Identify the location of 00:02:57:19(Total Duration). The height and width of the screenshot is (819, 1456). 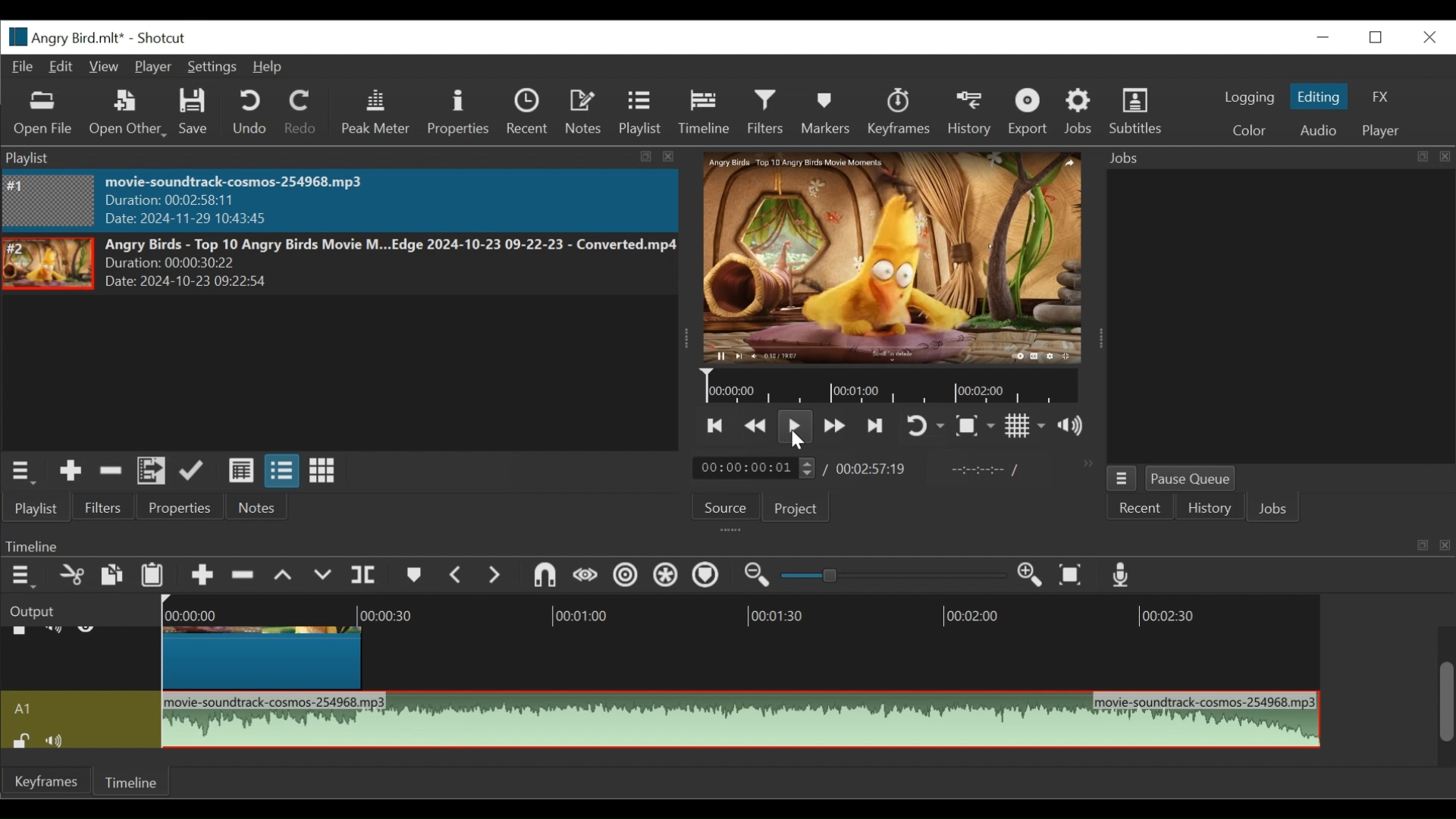
(868, 469).